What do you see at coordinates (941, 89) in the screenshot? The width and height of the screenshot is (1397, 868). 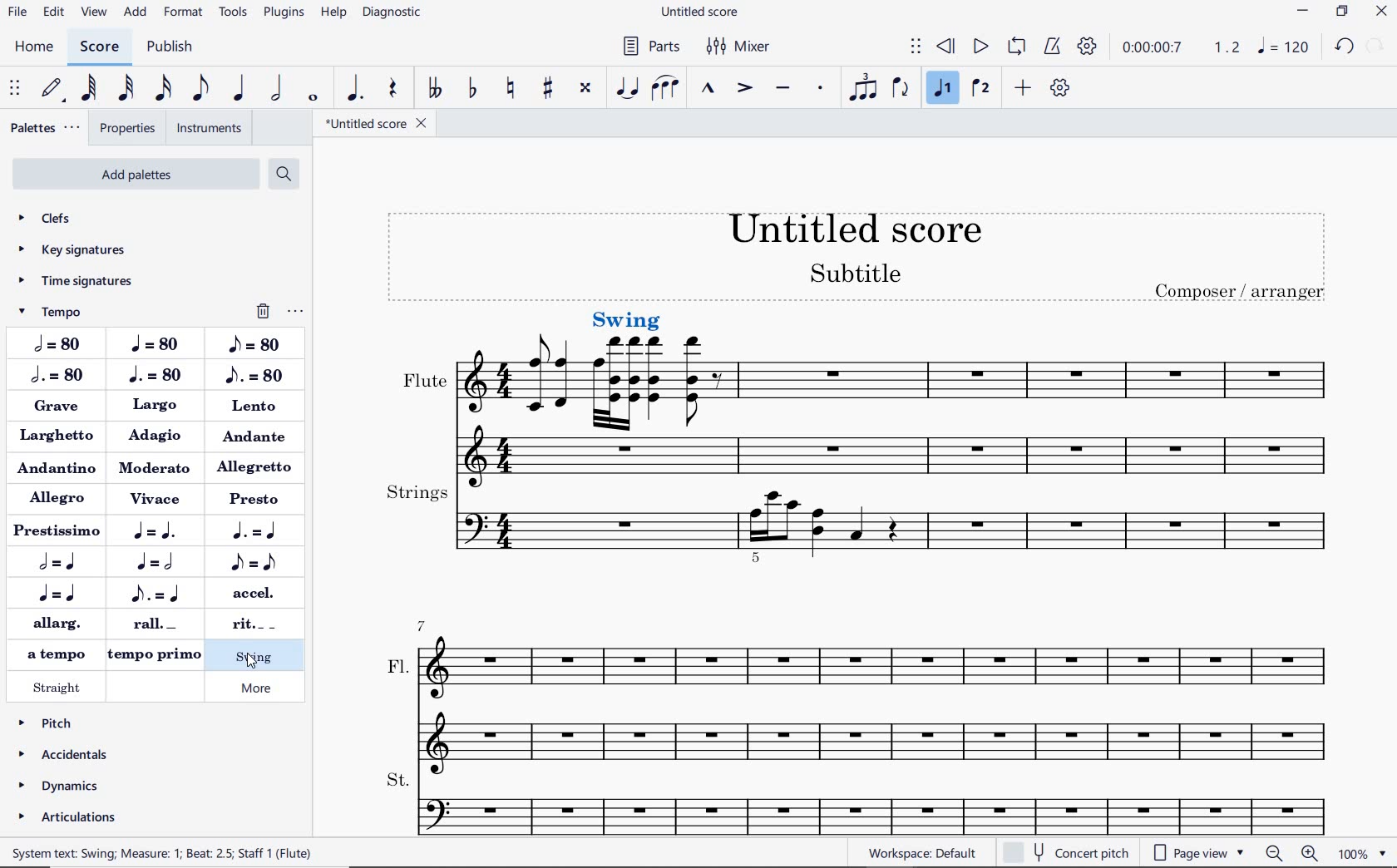 I see `VOICE 1` at bounding box center [941, 89].